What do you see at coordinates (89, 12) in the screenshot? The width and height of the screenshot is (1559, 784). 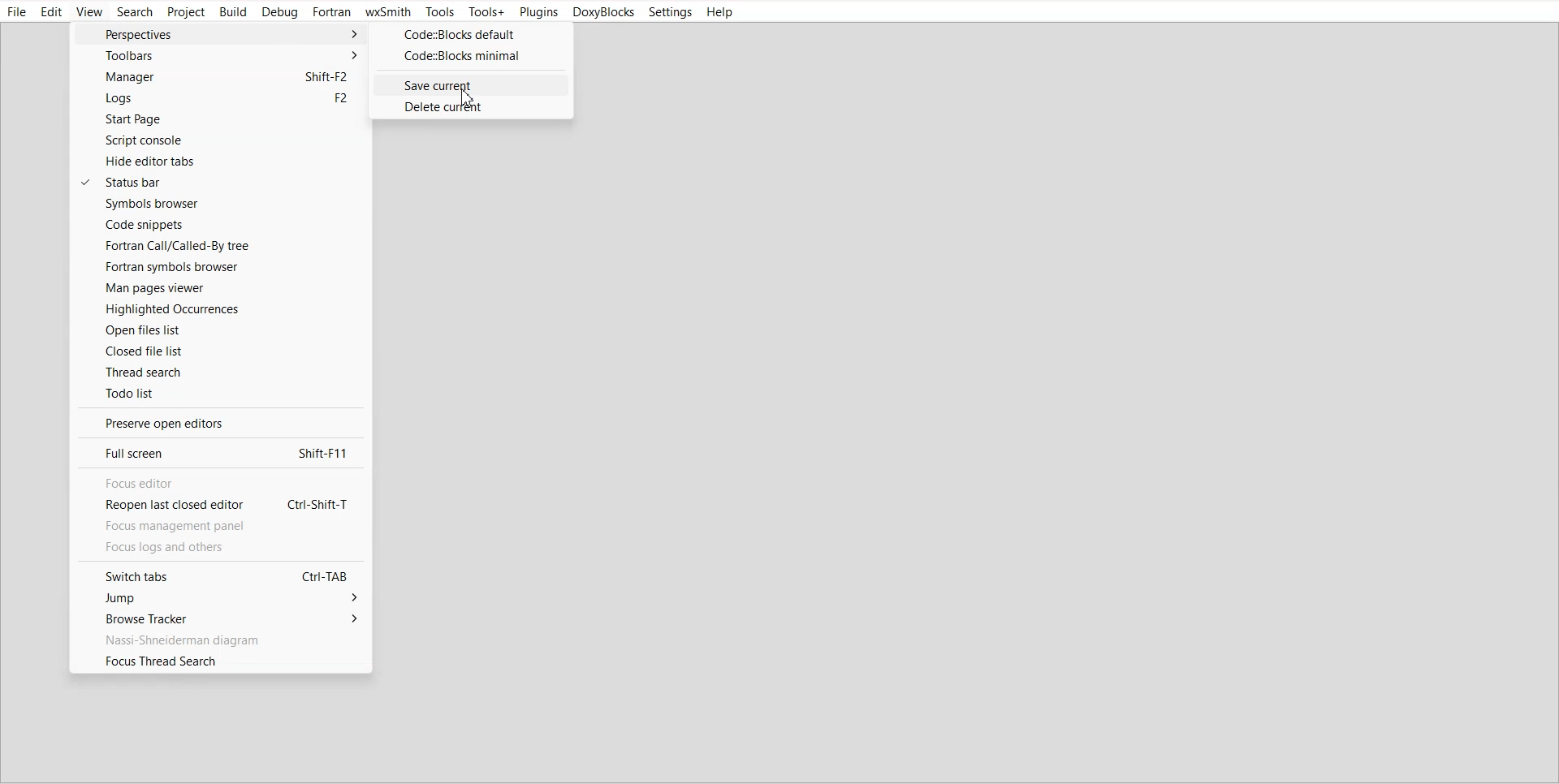 I see `View` at bounding box center [89, 12].